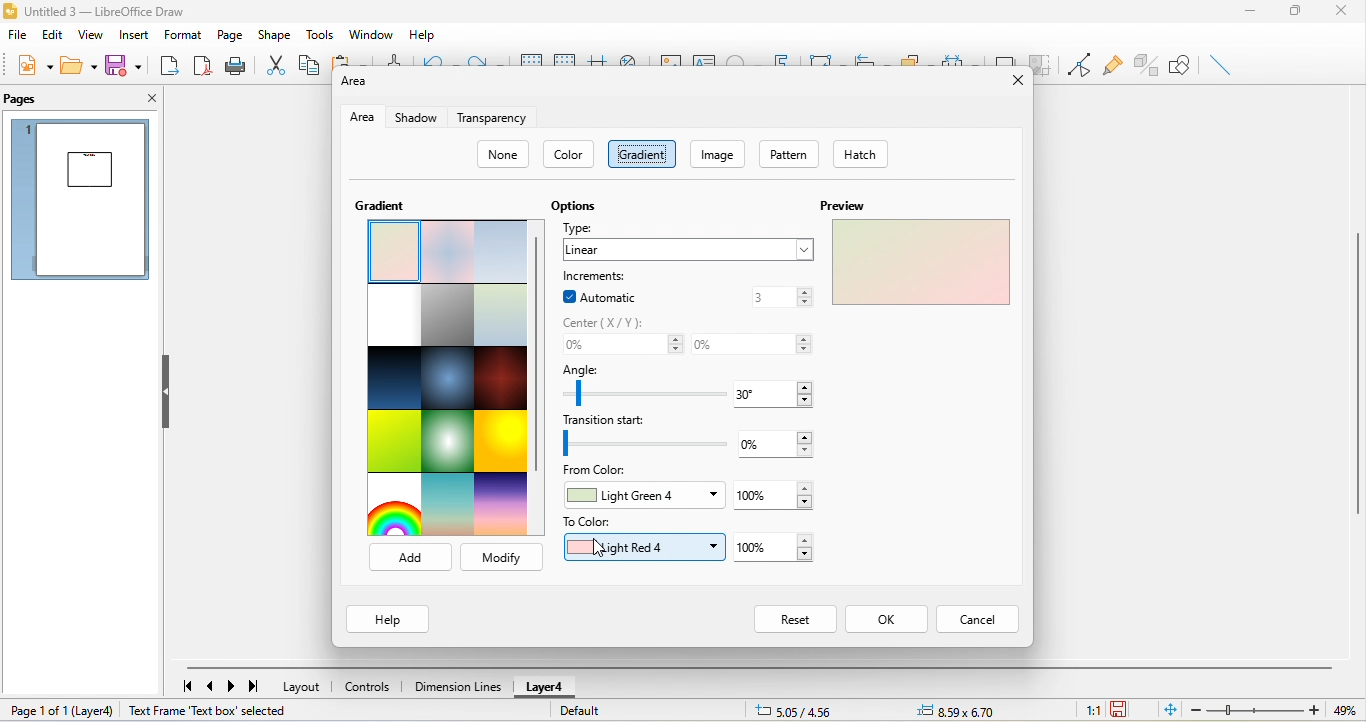 Image resolution: width=1366 pixels, height=722 pixels. I want to click on blank with grey, so click(394, 317).